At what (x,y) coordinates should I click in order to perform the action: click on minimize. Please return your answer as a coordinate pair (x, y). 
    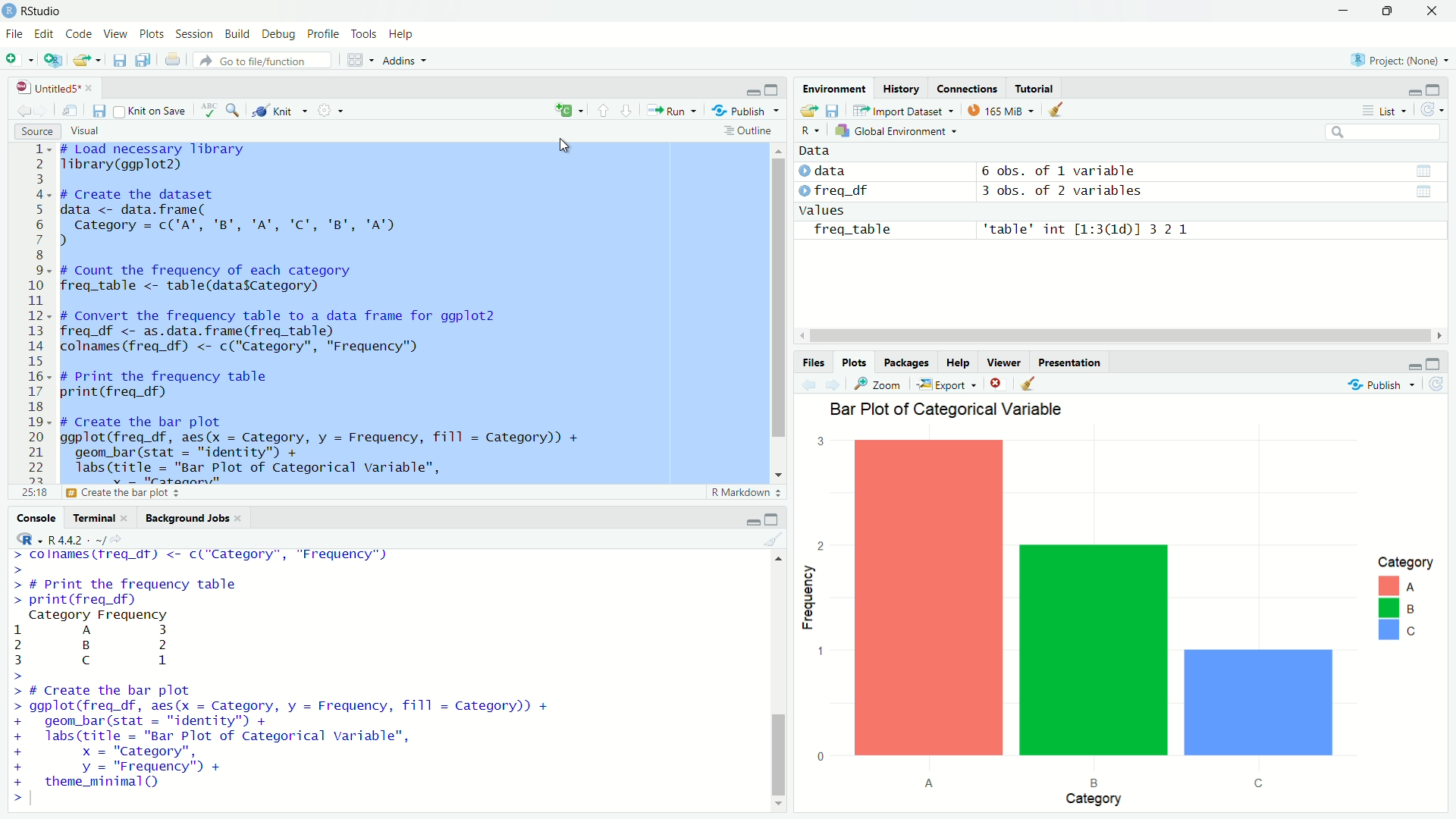
    Looking at the image, I should click on (1413, 91).